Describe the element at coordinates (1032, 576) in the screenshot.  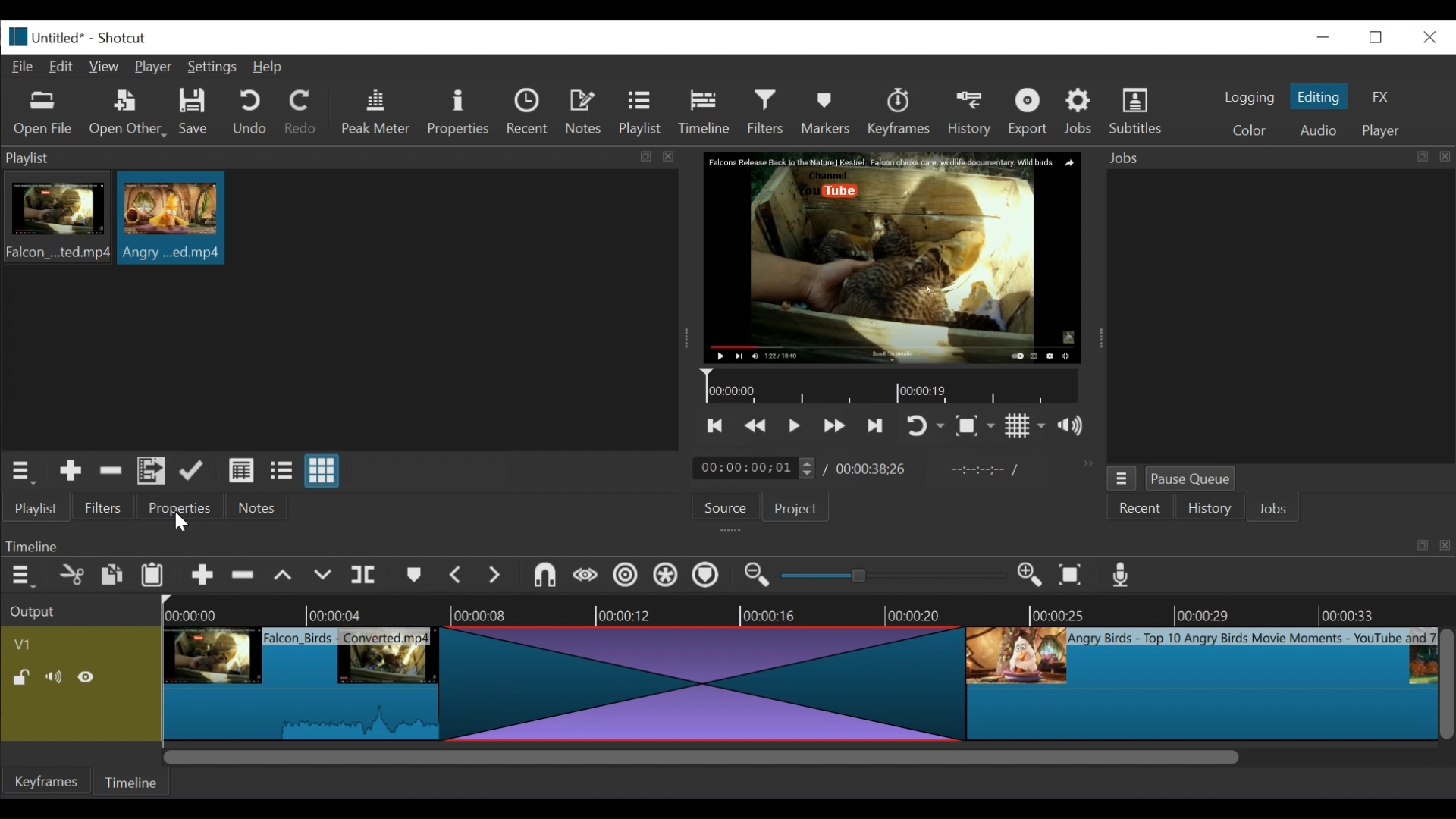
I see `Zoom in` at that location.